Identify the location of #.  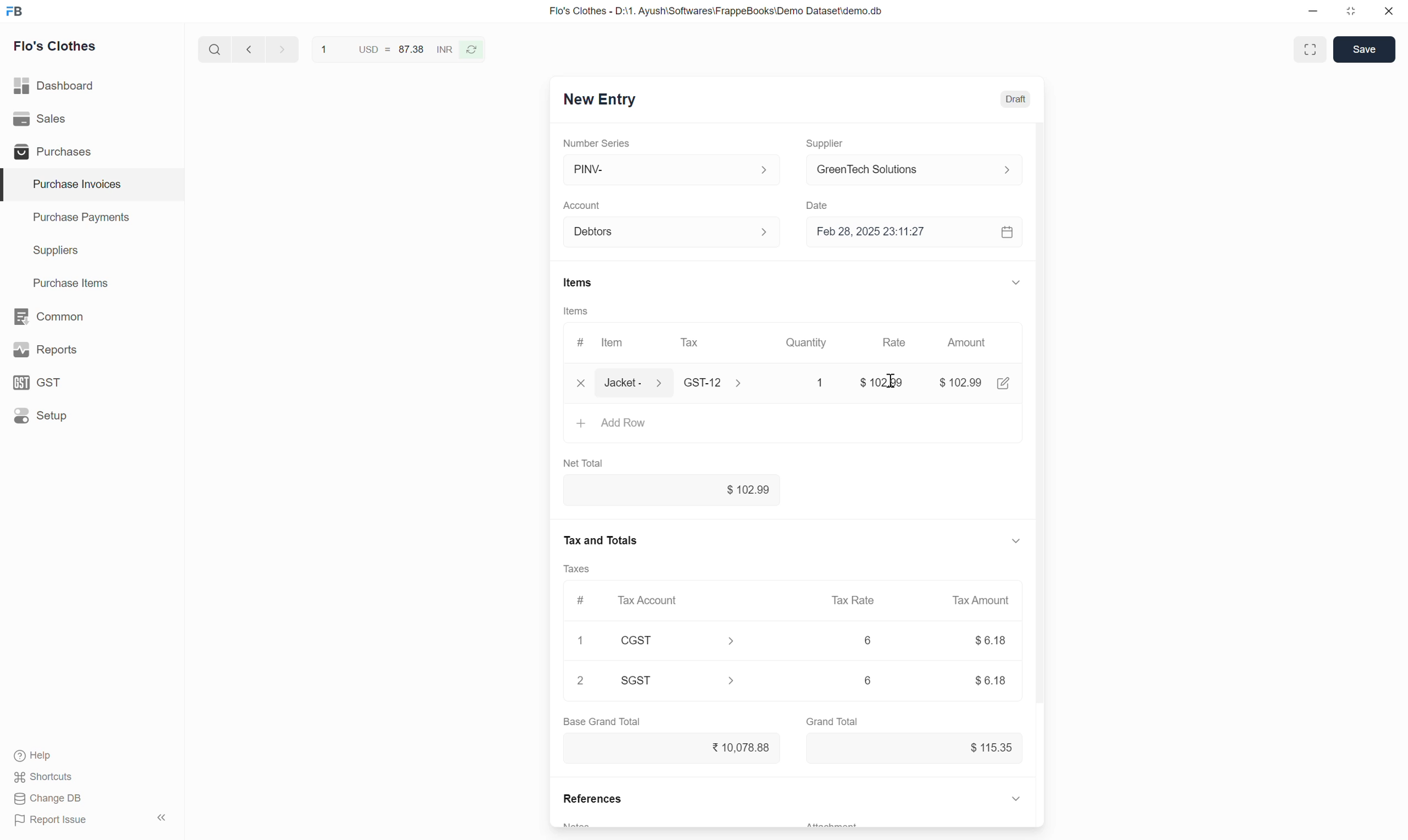
(583, 601).